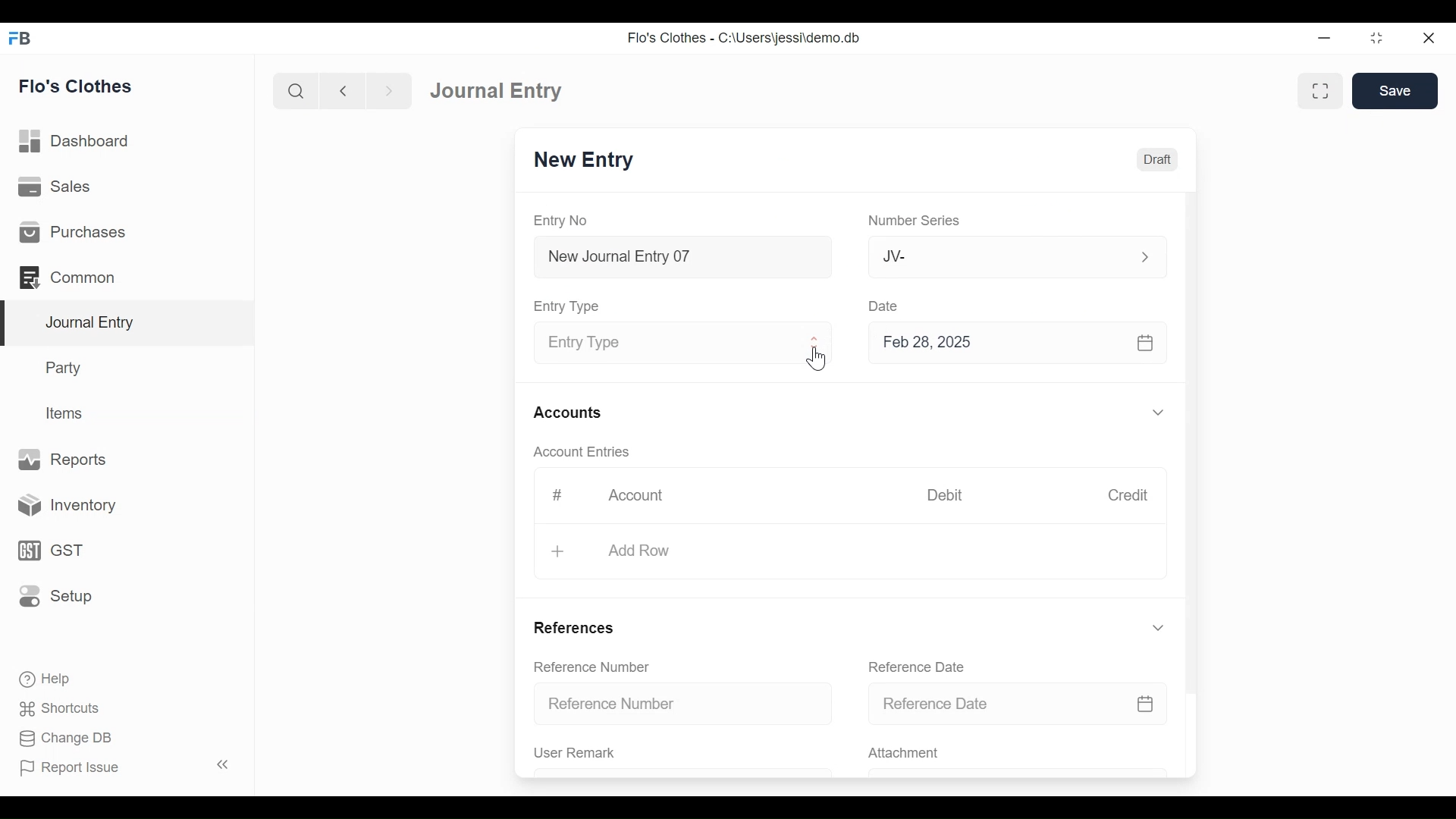 This screenshot has height=819, width=1456. What do you see at coordinates (888, 307) in the screenshot?
I see `Date` at bounding box center [888, 307].